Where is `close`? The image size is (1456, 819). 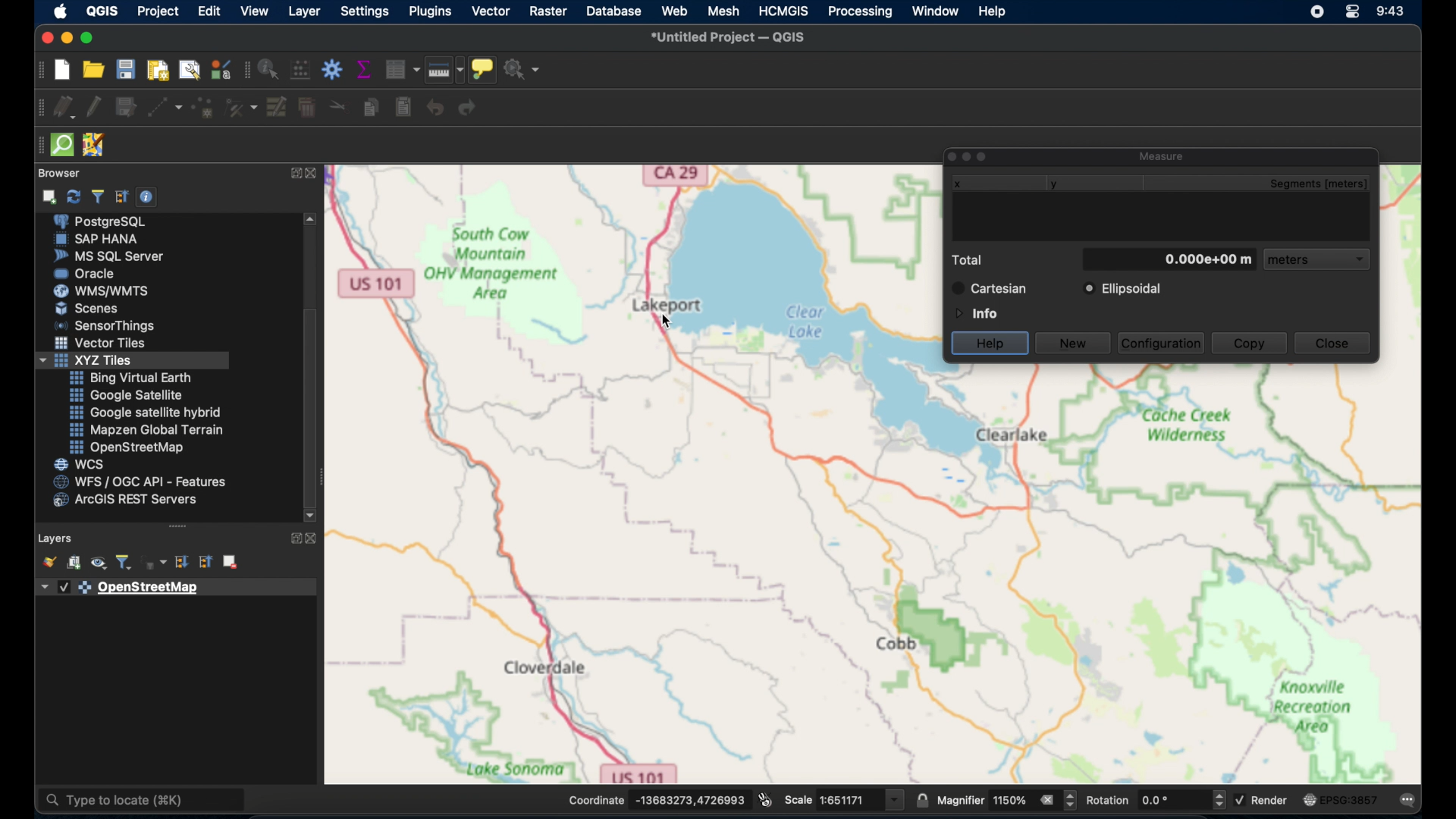 close is located at coordinates (45, 36).